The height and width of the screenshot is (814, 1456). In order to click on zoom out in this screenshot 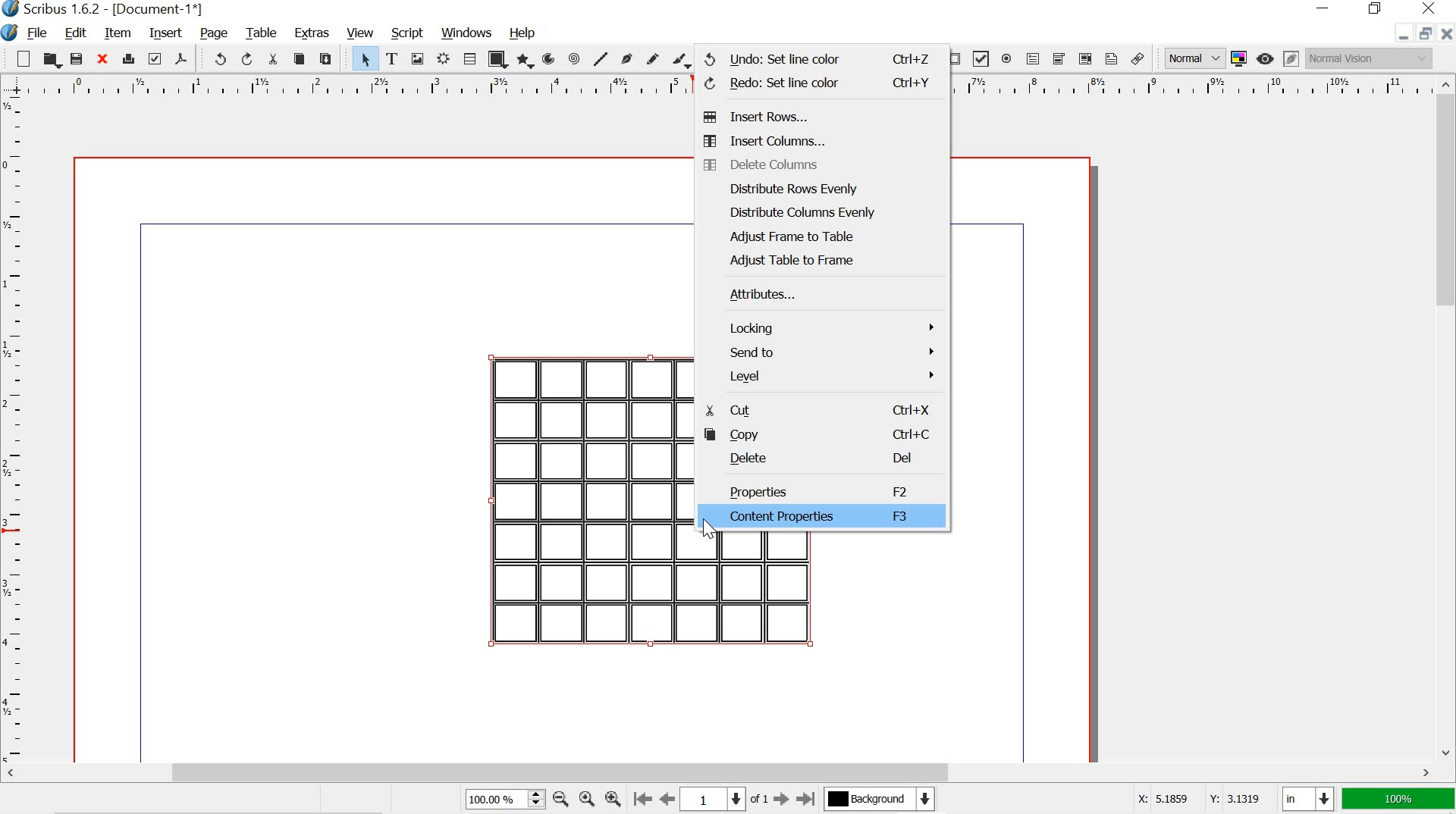, I will do `click(559, 798)`.